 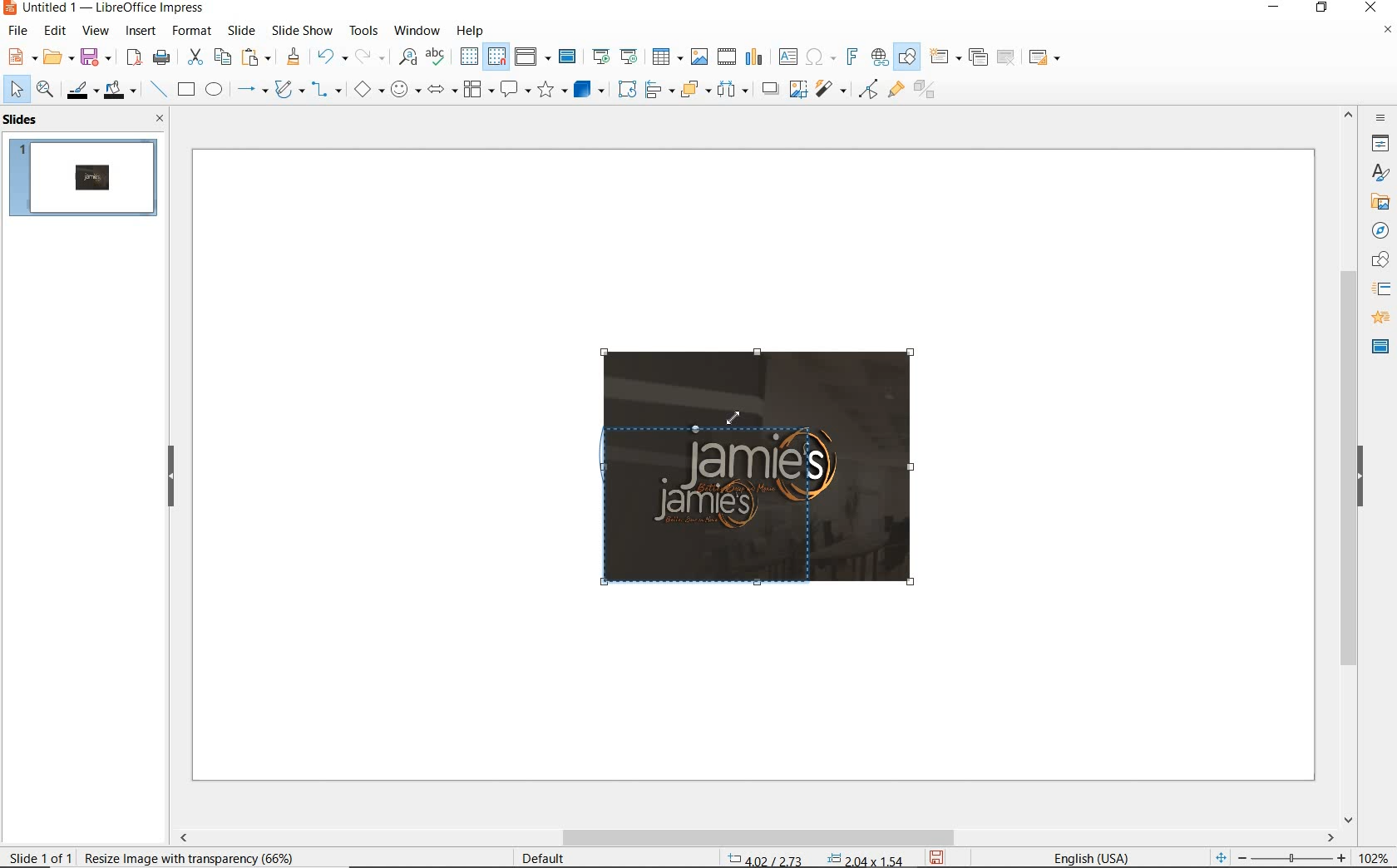 I want to click on animation, so click(x=1378, y=318).